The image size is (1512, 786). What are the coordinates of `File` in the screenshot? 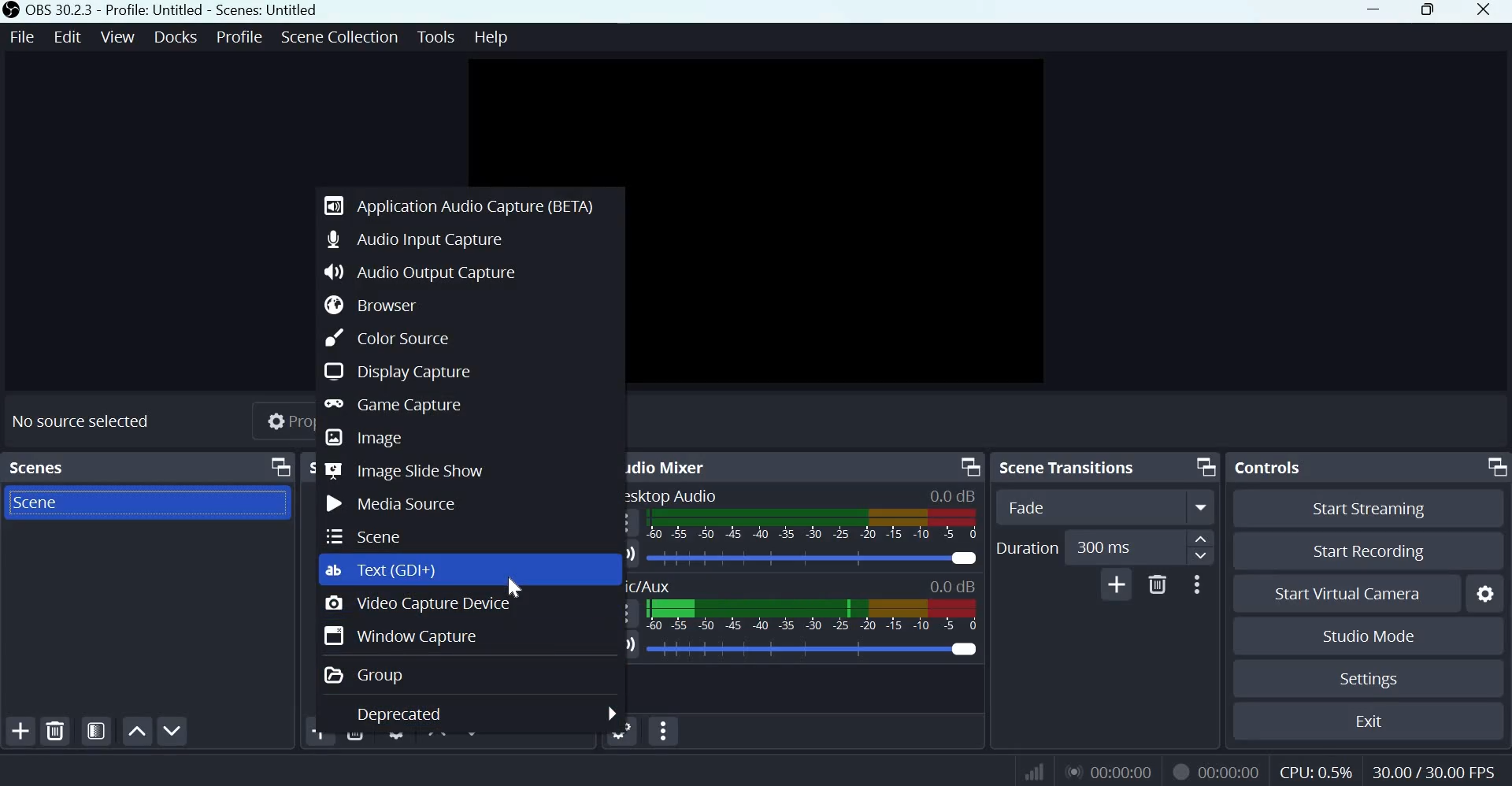 It's located at (23, 38).